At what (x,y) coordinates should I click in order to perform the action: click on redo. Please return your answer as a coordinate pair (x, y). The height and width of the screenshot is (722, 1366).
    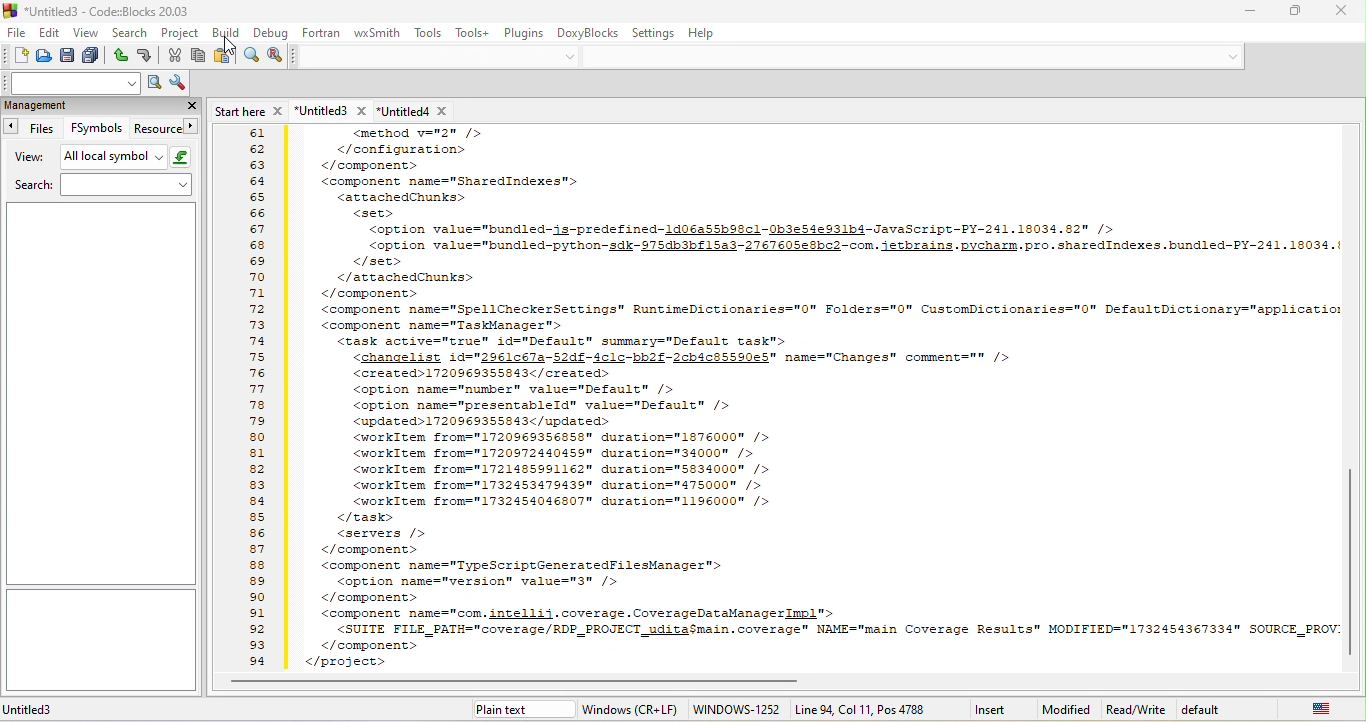
    Looking at the image, I should click on (151, 55).